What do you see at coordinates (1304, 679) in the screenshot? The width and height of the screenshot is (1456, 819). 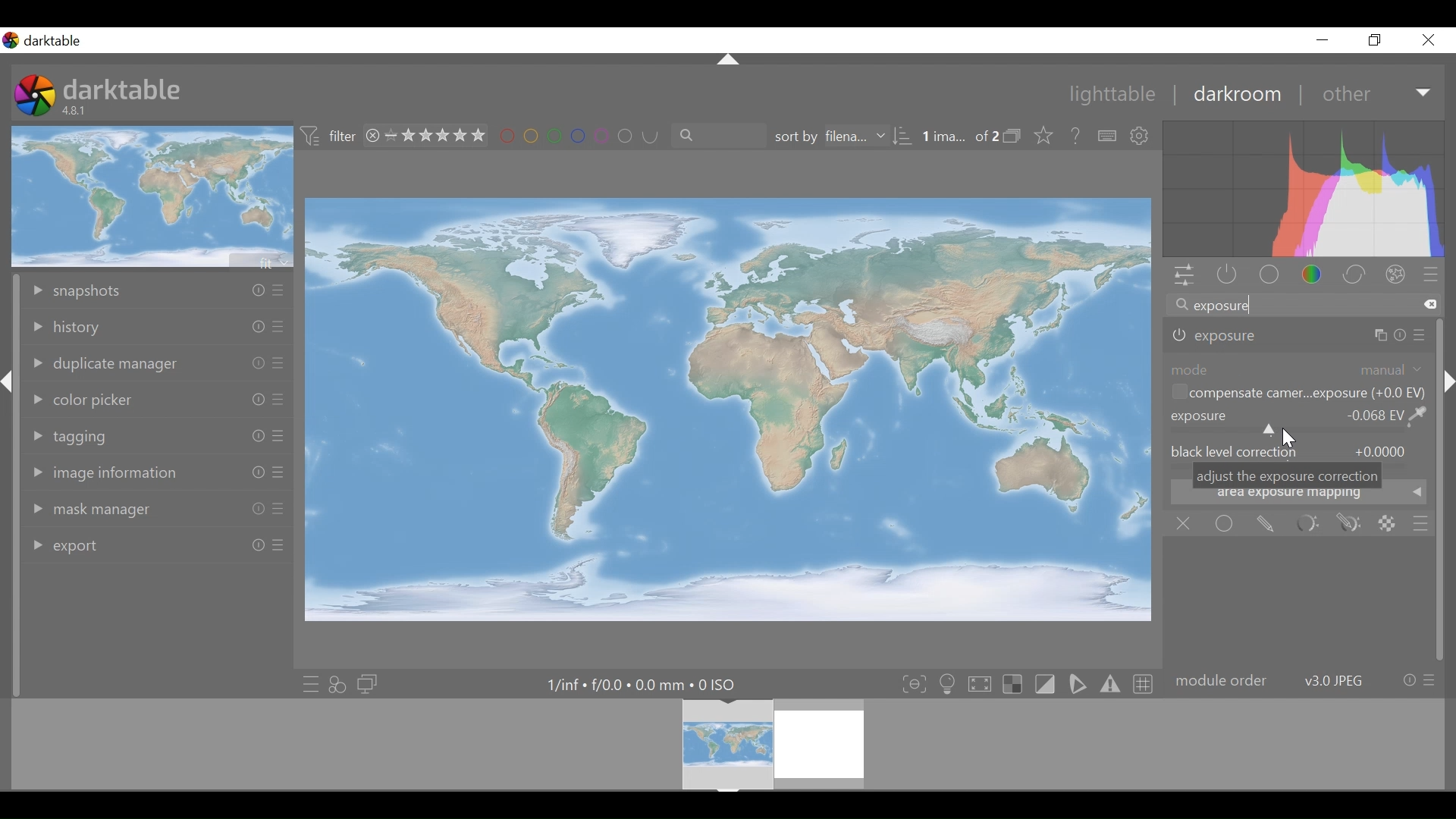 I see `module order` at bounding box center [1304, 679].